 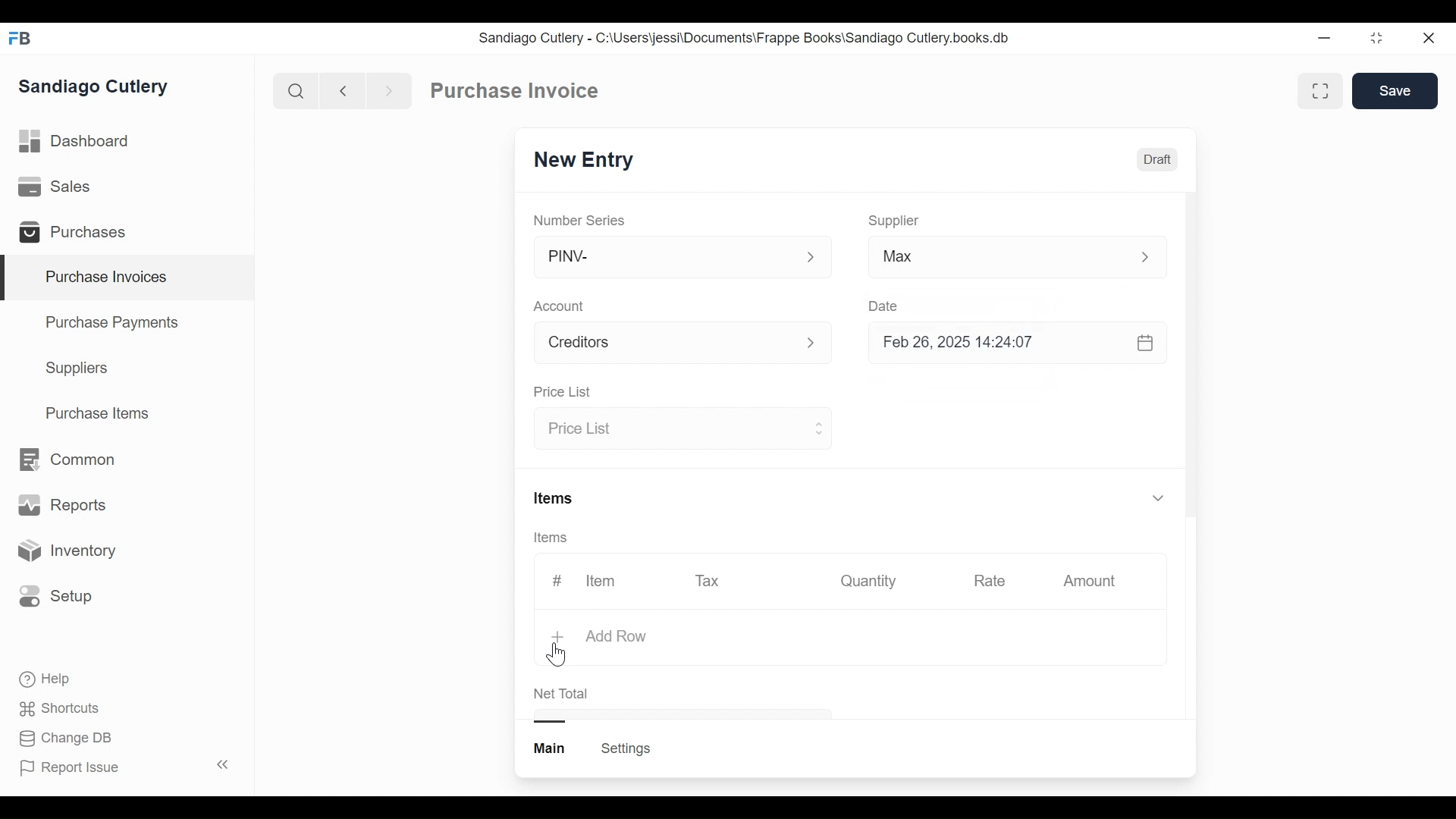 What do you see at coordinates (1158, 162) in the screenshot?
I see `Draft` at bounding box center [1158, 162].